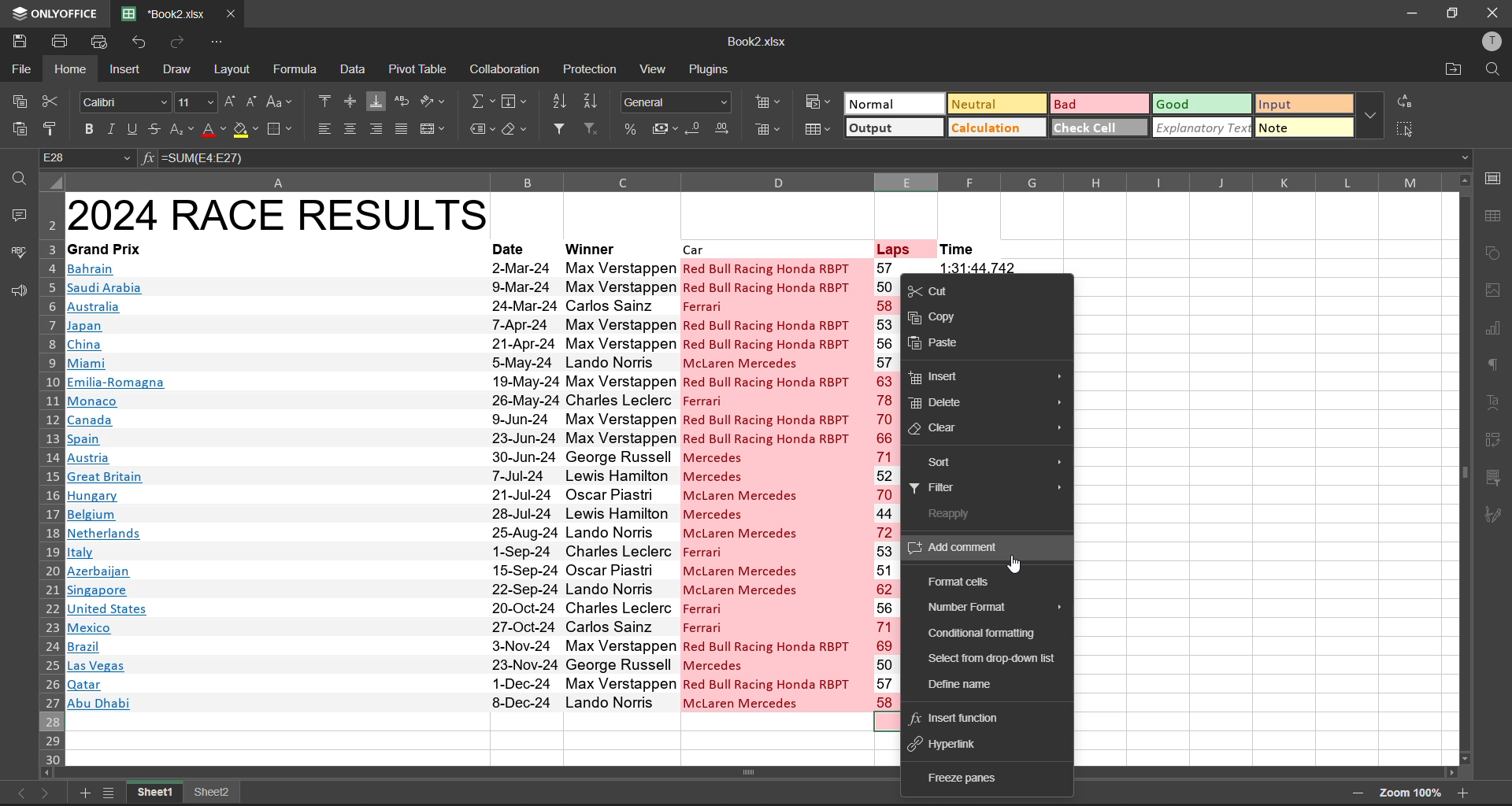 The width and height of the screenshot is (1512, 806). I want to click on align bottom, so click(375, 100).